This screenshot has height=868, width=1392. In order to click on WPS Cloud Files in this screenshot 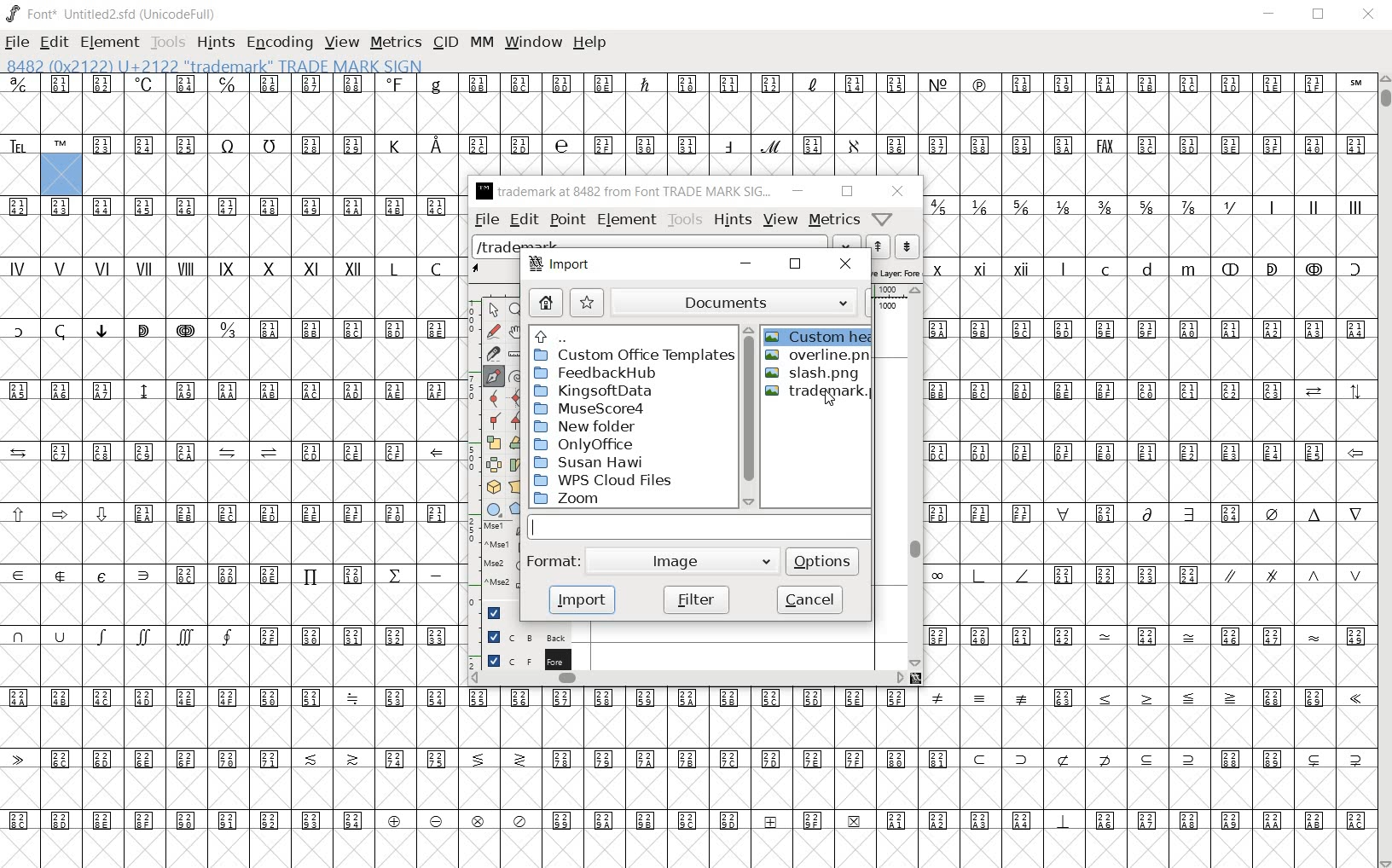, I will do `click(608, 480)`.